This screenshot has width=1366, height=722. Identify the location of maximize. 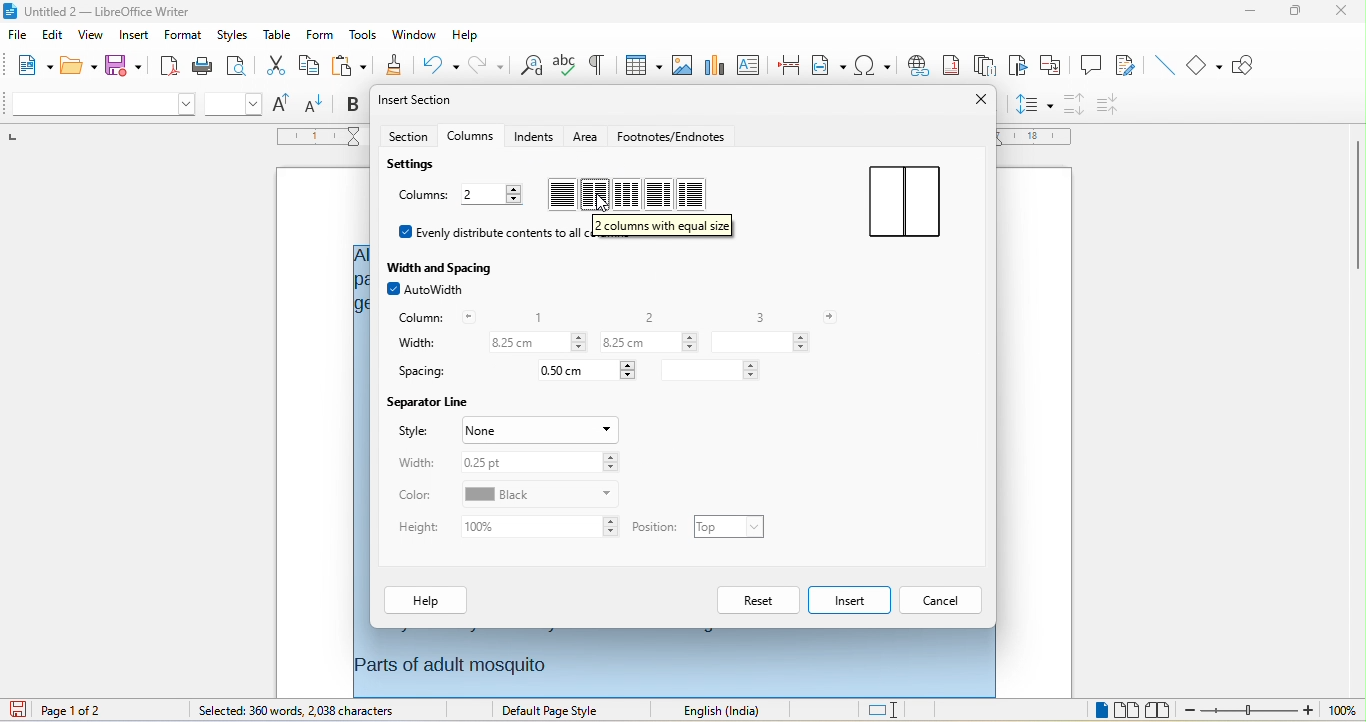
(1292, 13).